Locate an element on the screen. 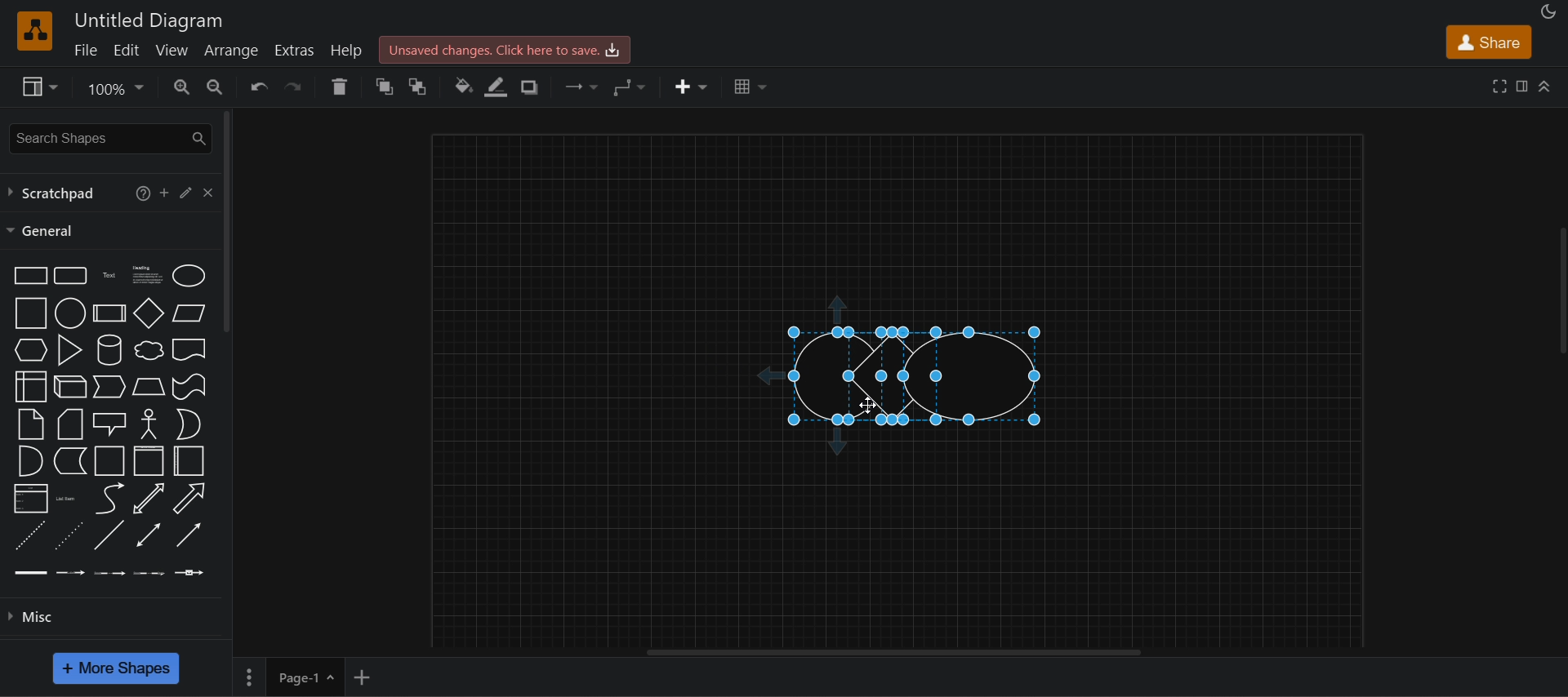 The width and height of the screenshot is (1568, 697). zoom is located at coordinates (114, 91).